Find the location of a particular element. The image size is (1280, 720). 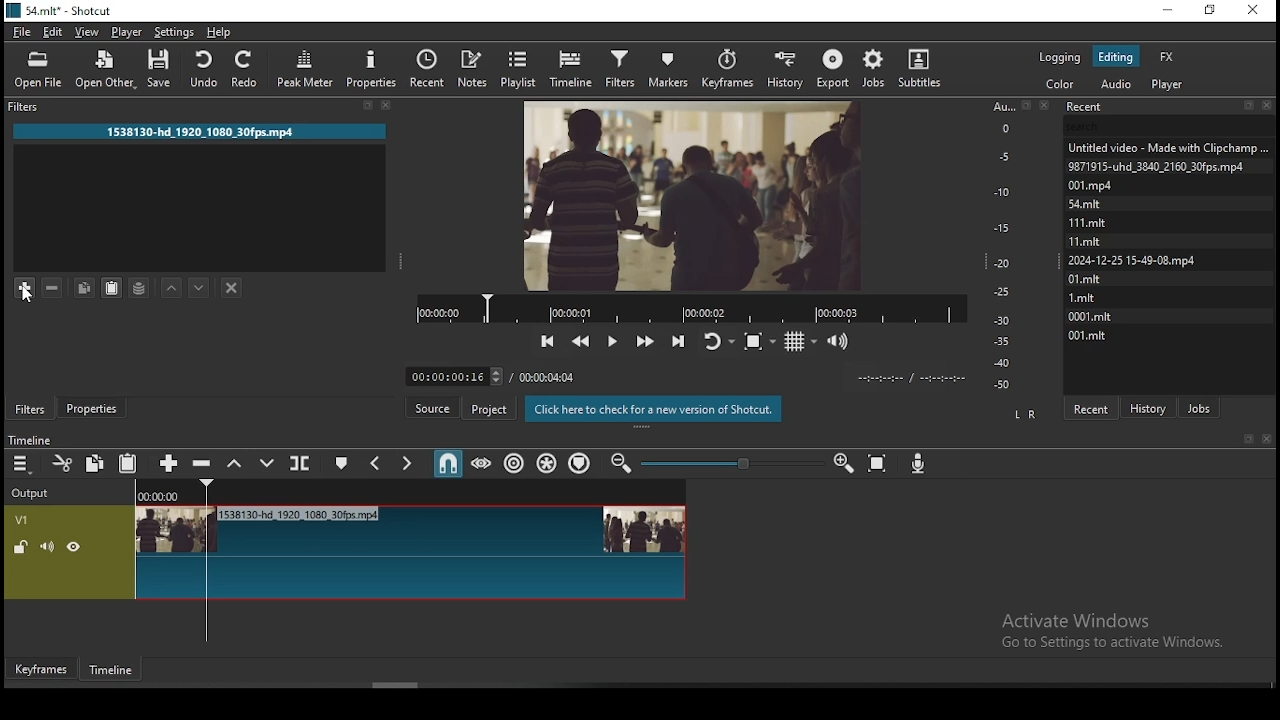

keyframes is located at coordinates (730, 65).